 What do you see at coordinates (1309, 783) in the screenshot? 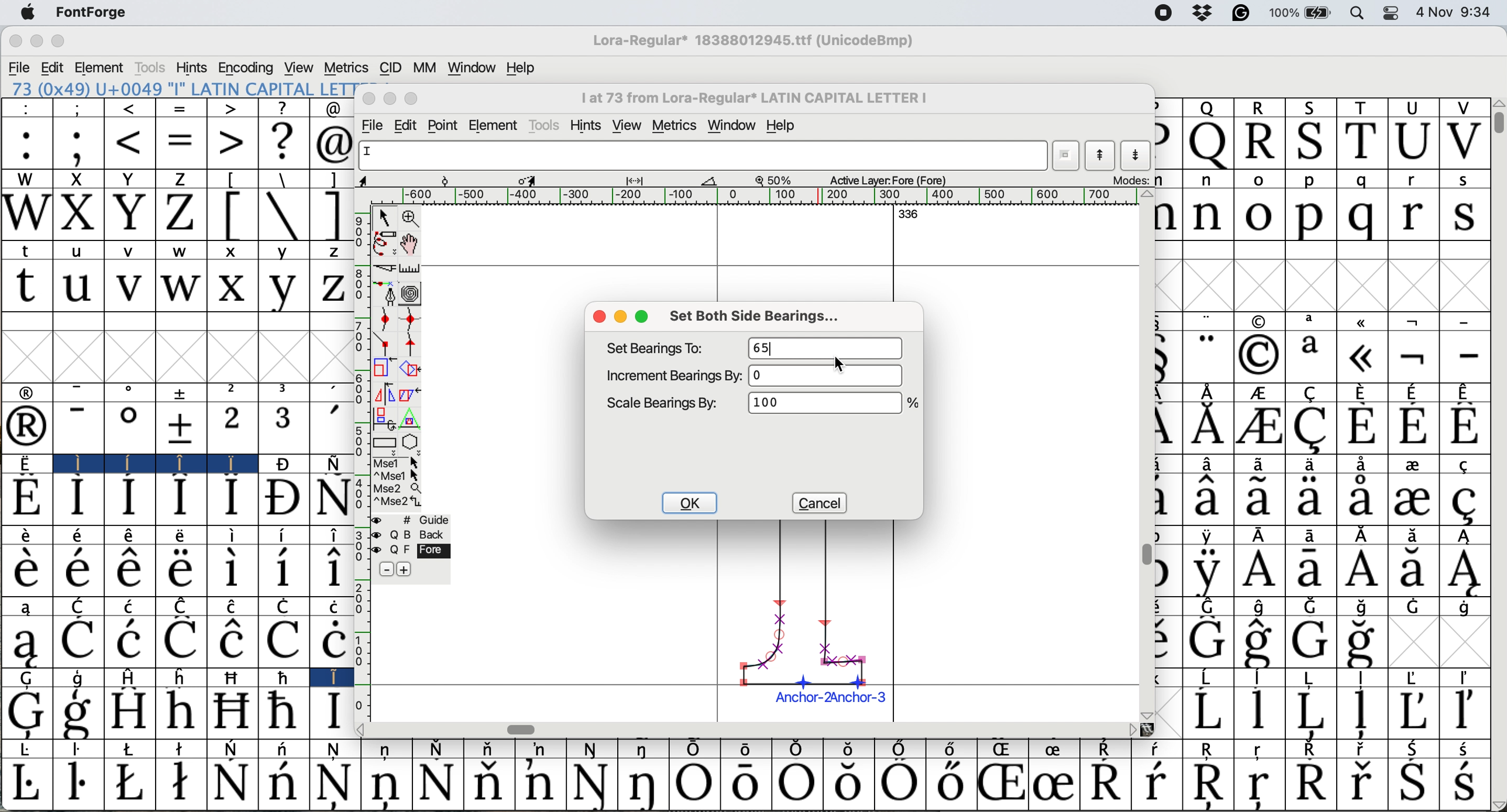
I see `Symbol` at bounding box center [1309, 783].